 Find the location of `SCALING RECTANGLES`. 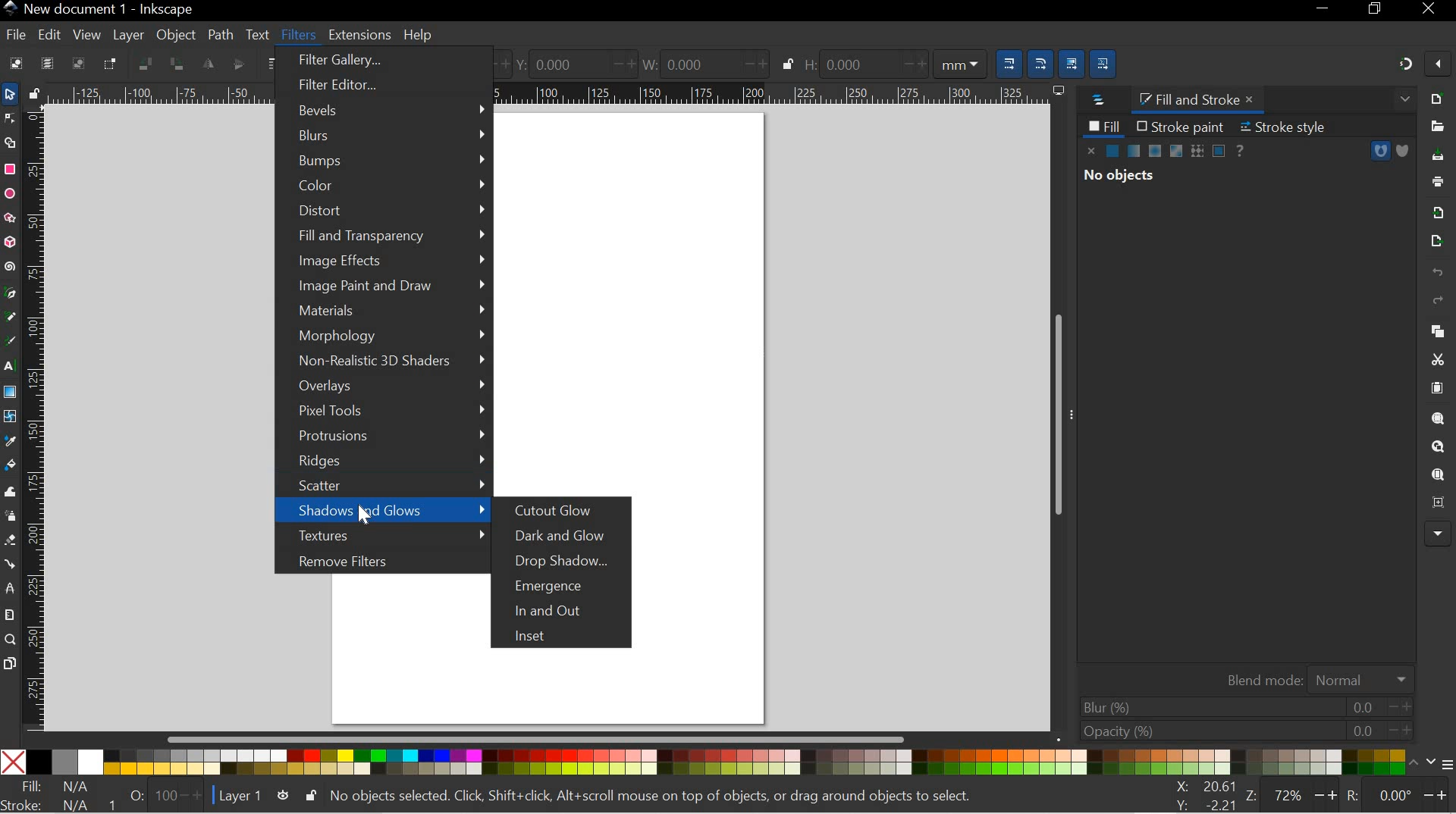

SCALING RECTANGLES is located at coordinates (1041, 59).